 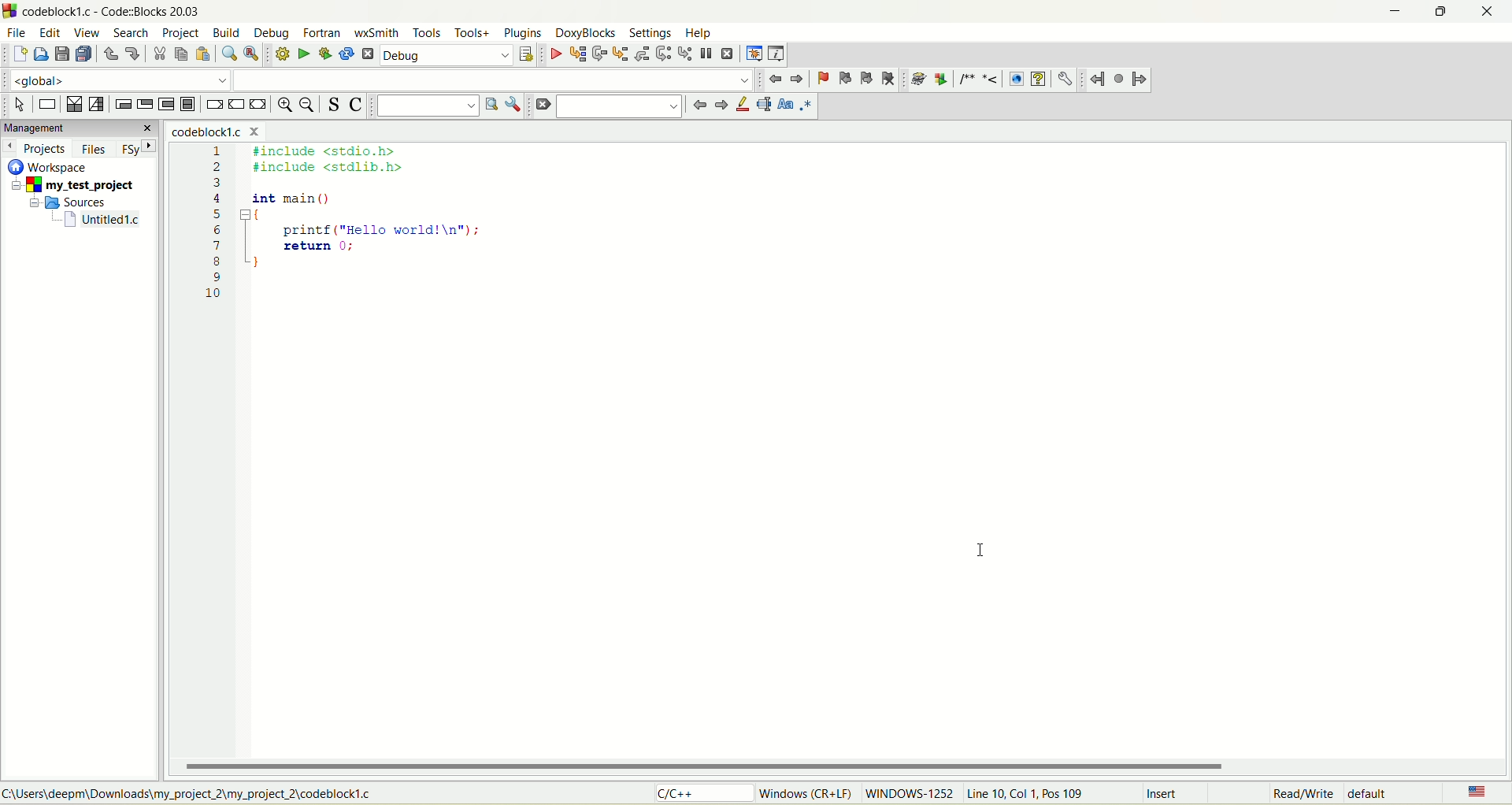 I want to click on show options window, so click(x=515, y=106).